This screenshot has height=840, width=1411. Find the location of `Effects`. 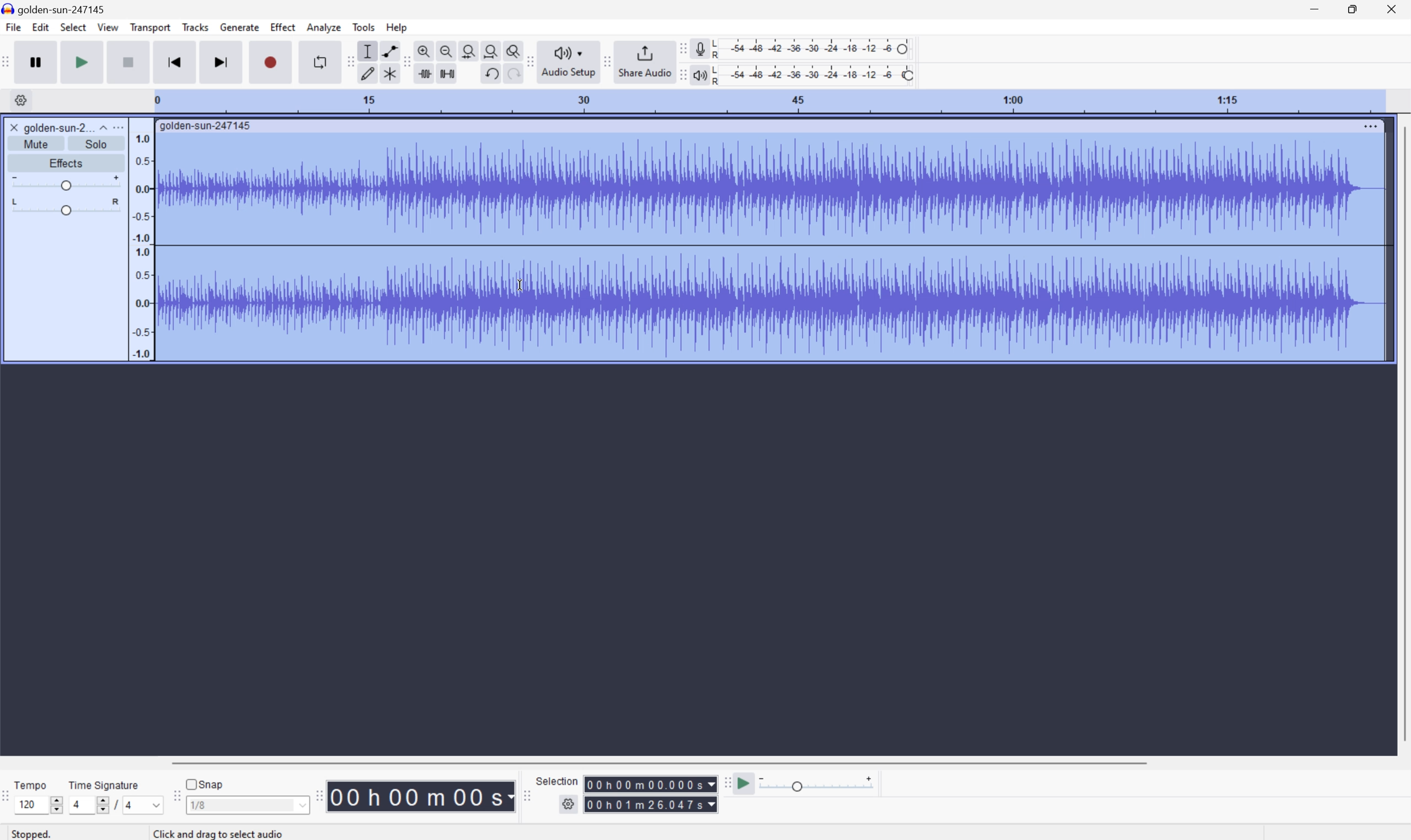

Effects is located at coordinates (65, 161).